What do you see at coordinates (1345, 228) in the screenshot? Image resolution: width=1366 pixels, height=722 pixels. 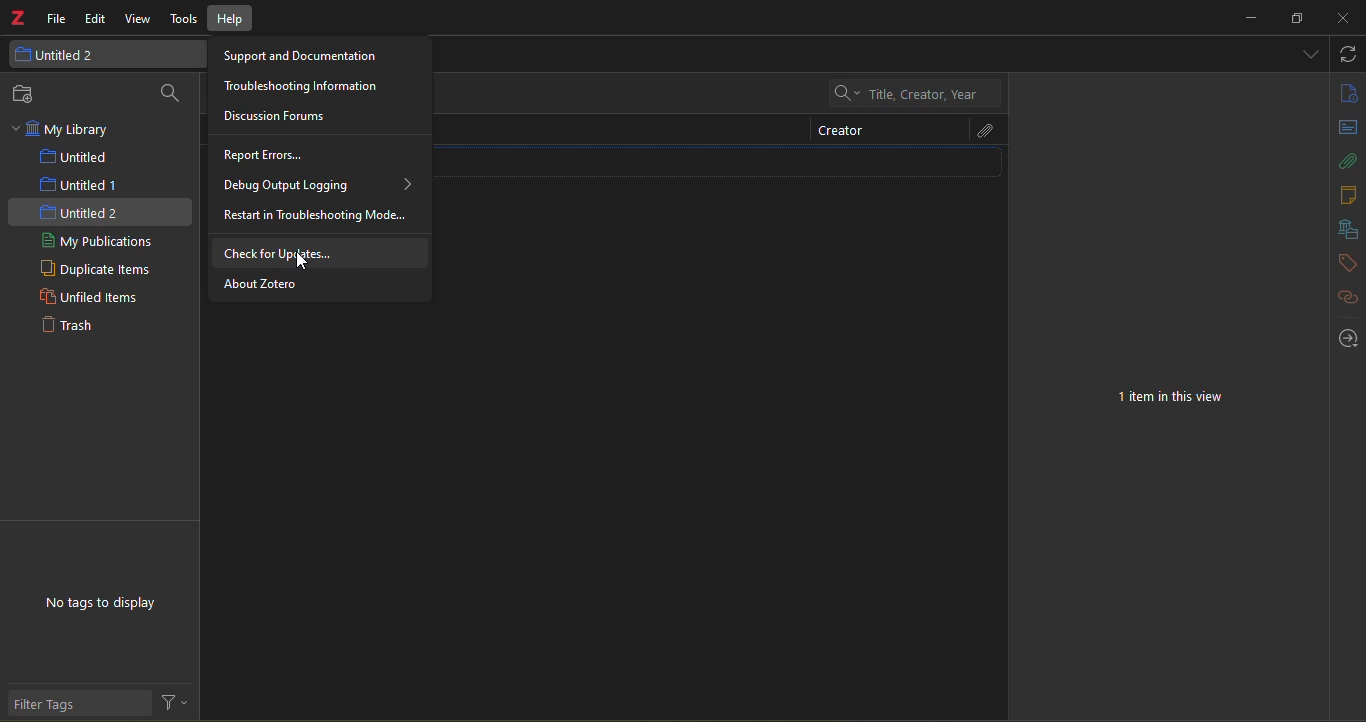 I see `library` at bounding box center [1345, 228].